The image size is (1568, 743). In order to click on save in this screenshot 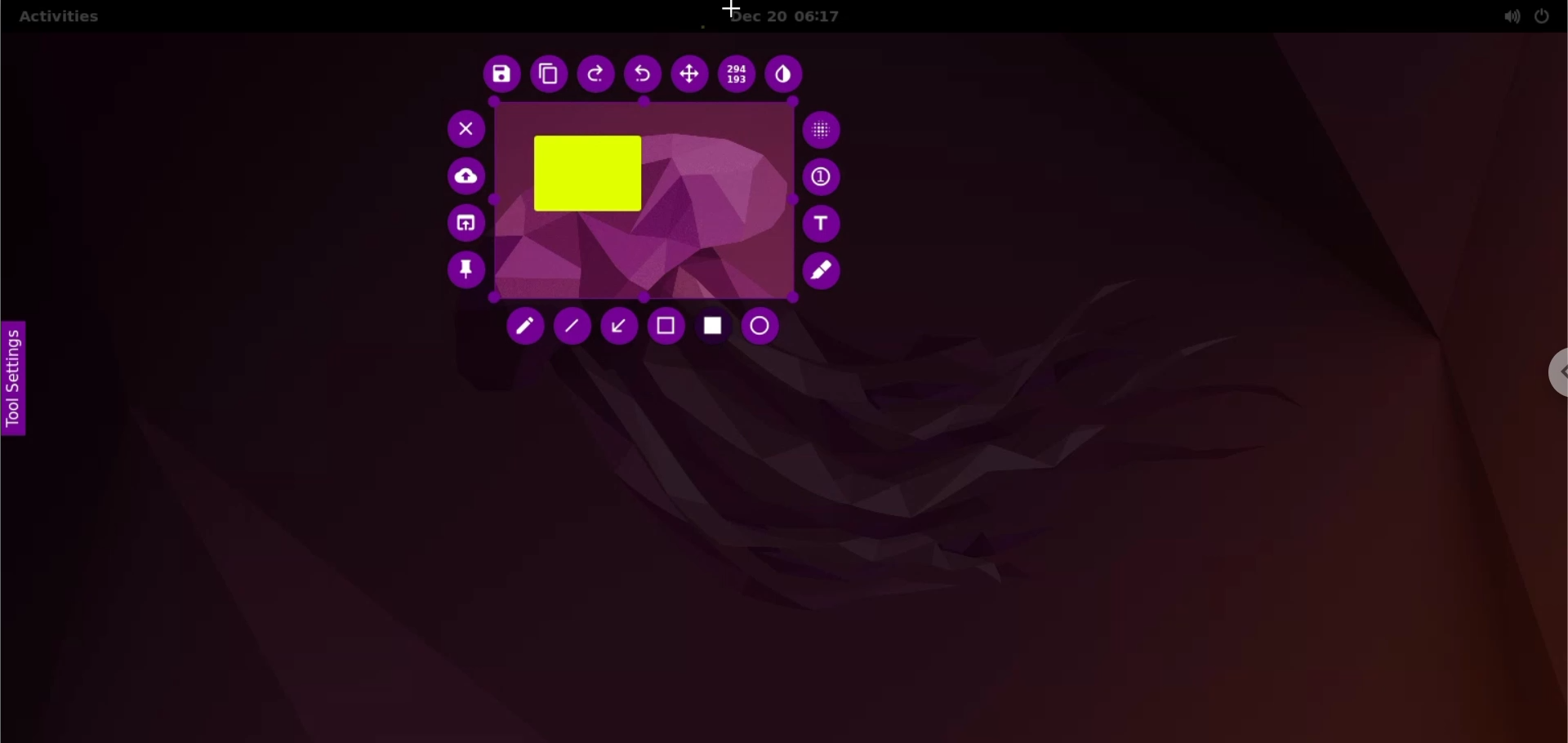, I will do `click(498, 75)`.